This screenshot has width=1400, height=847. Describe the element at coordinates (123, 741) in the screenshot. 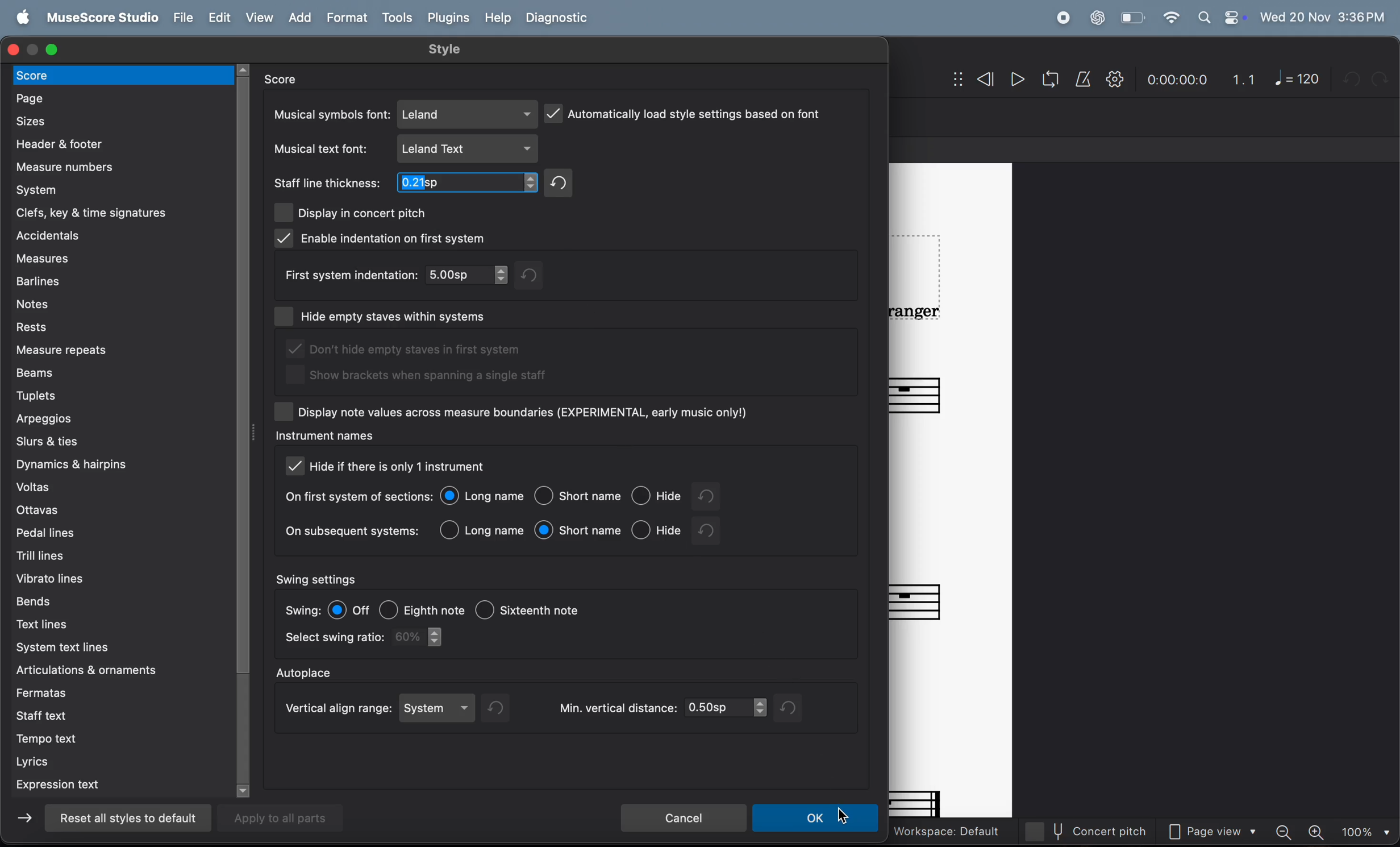

I see `tempo` at that location.